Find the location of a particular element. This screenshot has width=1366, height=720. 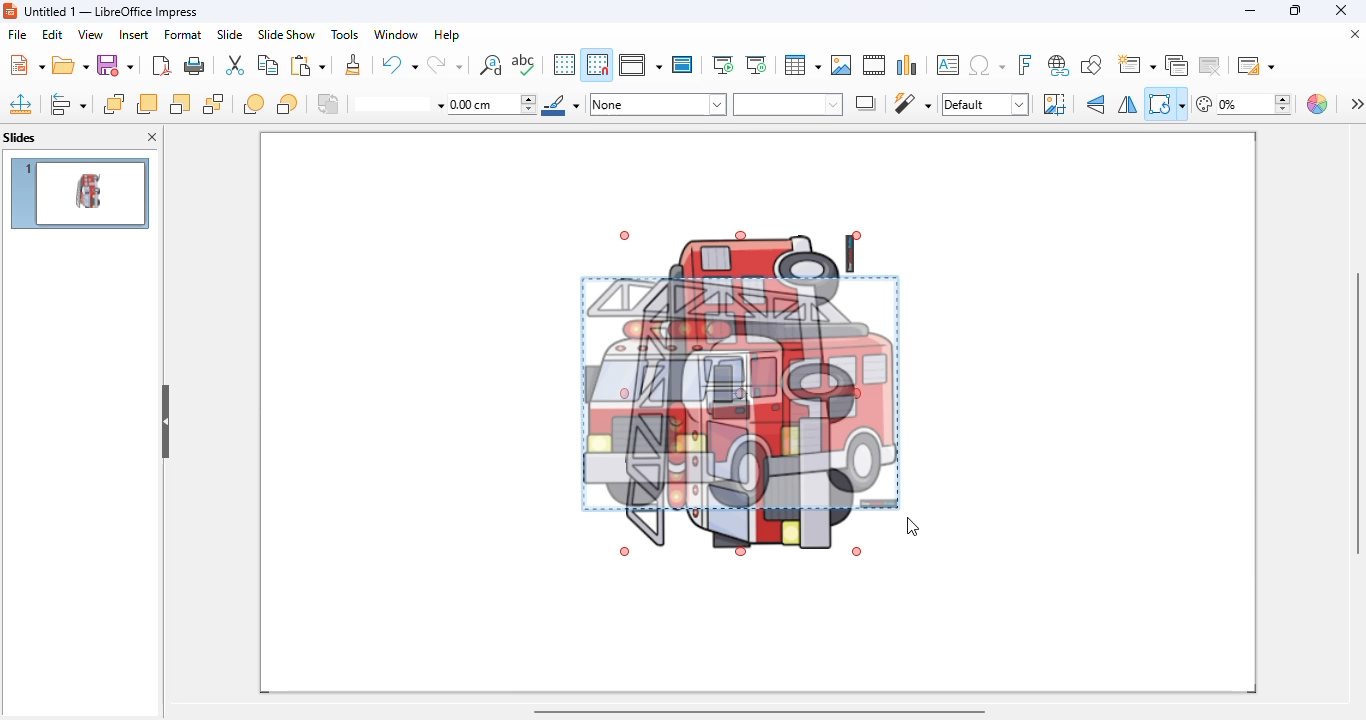

paste is located at coordinates (307, 64).